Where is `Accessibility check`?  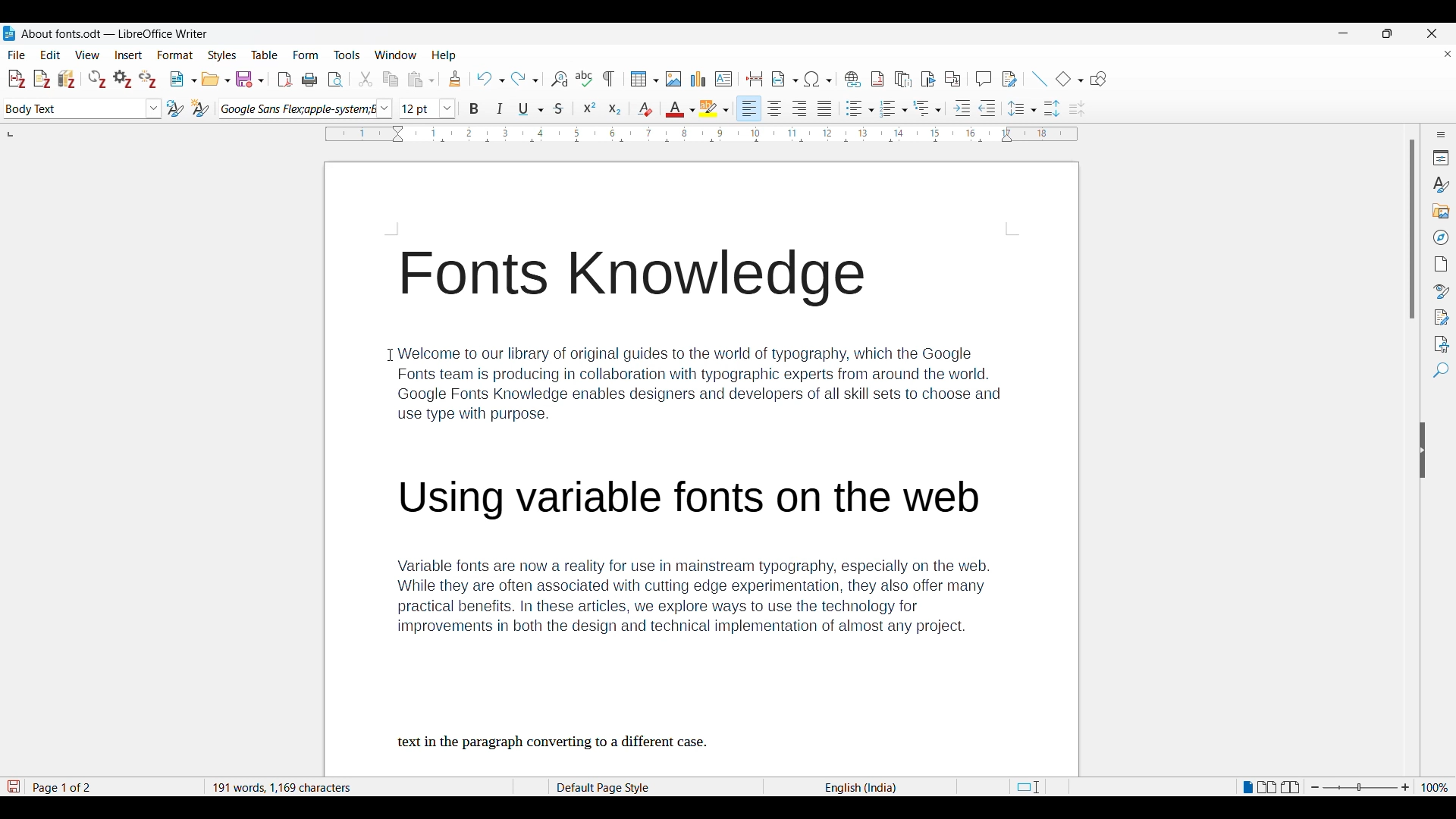 Accessibility check is located at coordinates (1442, 344).